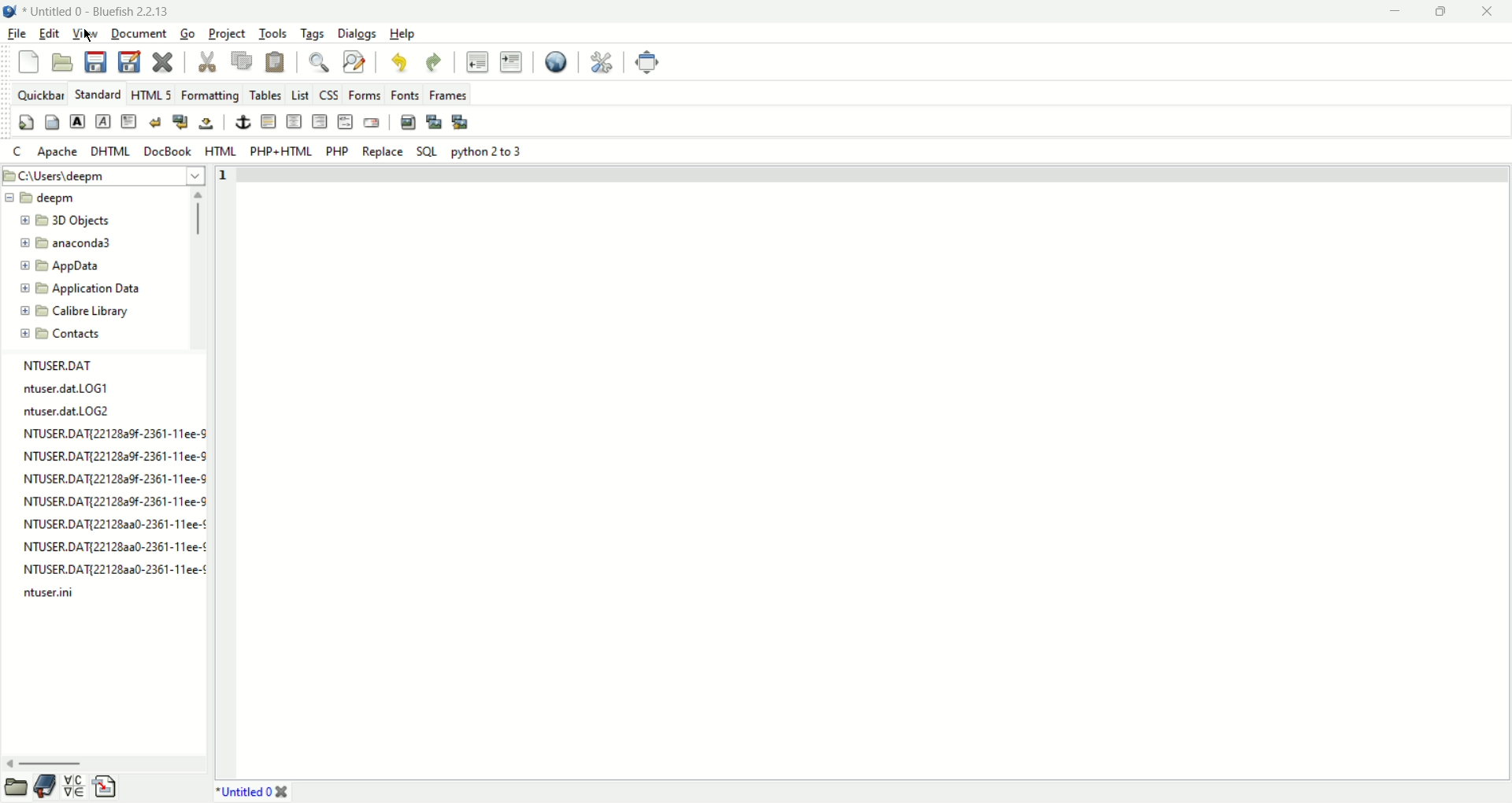 The width and height of the screenshot is (1512, 803). Describe the element at coordinates (476, 62) in the screenshot. I see `unindent` at that location.